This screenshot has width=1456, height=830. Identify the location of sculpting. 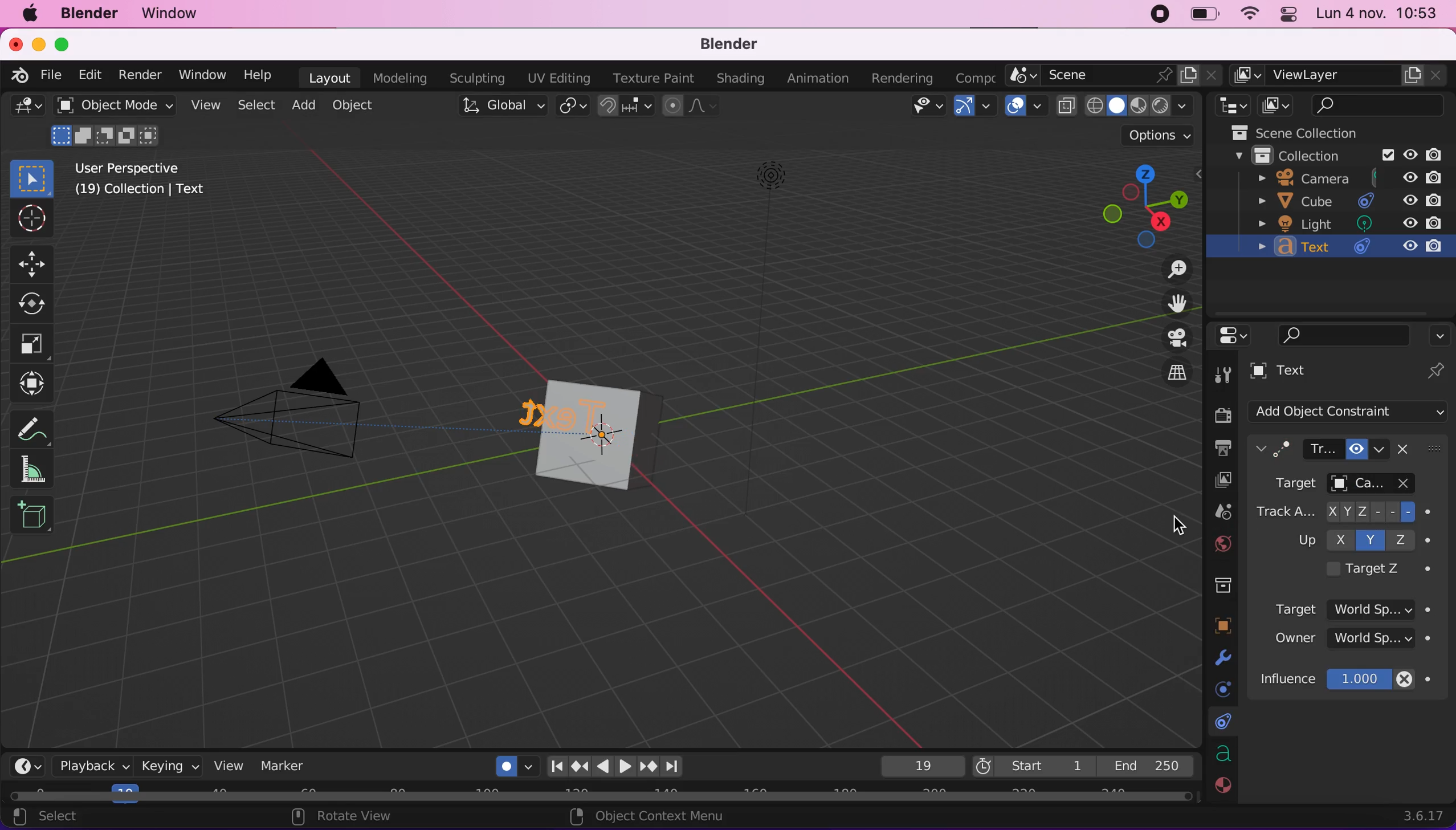
(480, 79).